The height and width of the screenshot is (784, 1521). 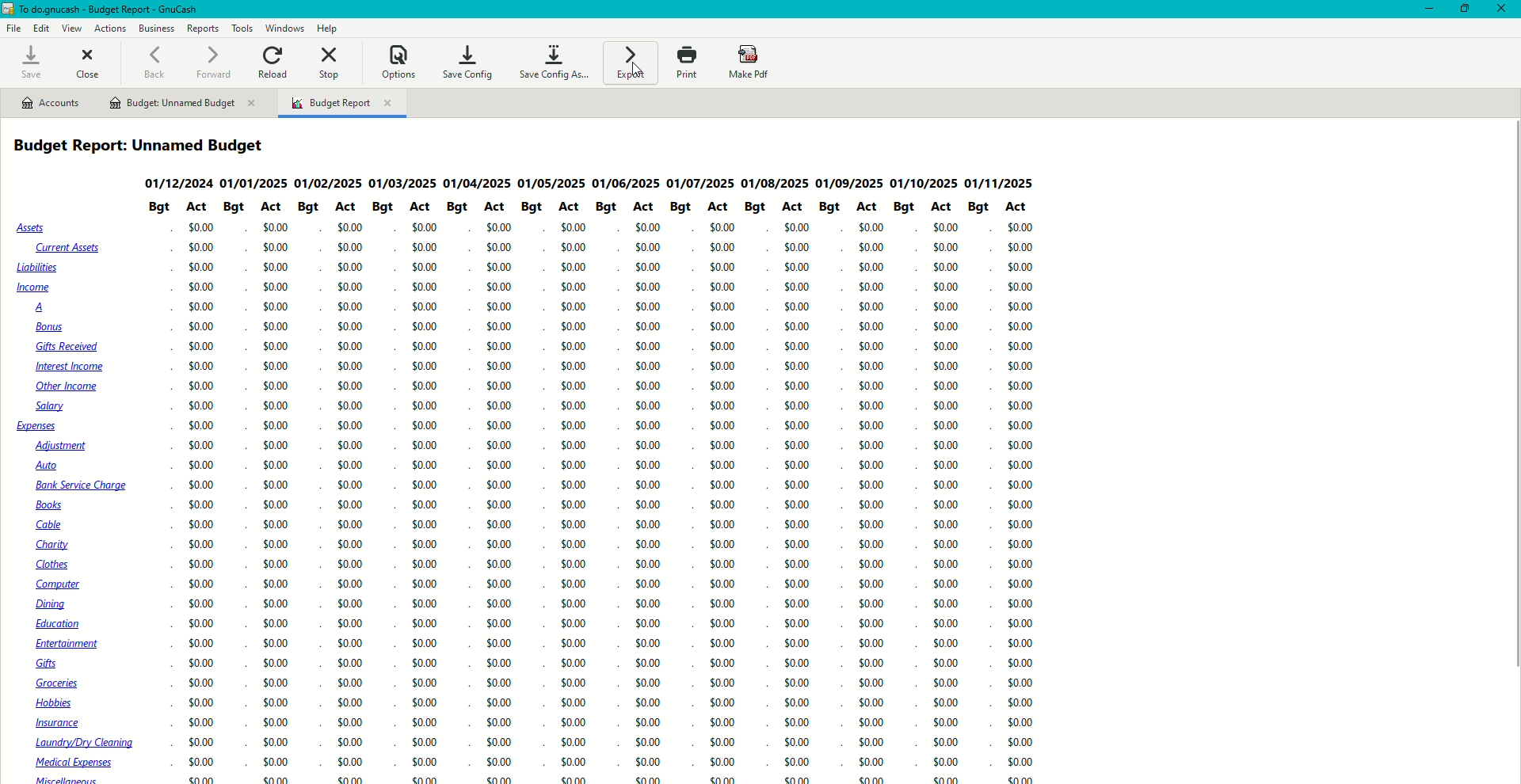 What do you see at coordinates (199, 227) in the screenshot?
I see `0.00` at bounding box center [199, 227].